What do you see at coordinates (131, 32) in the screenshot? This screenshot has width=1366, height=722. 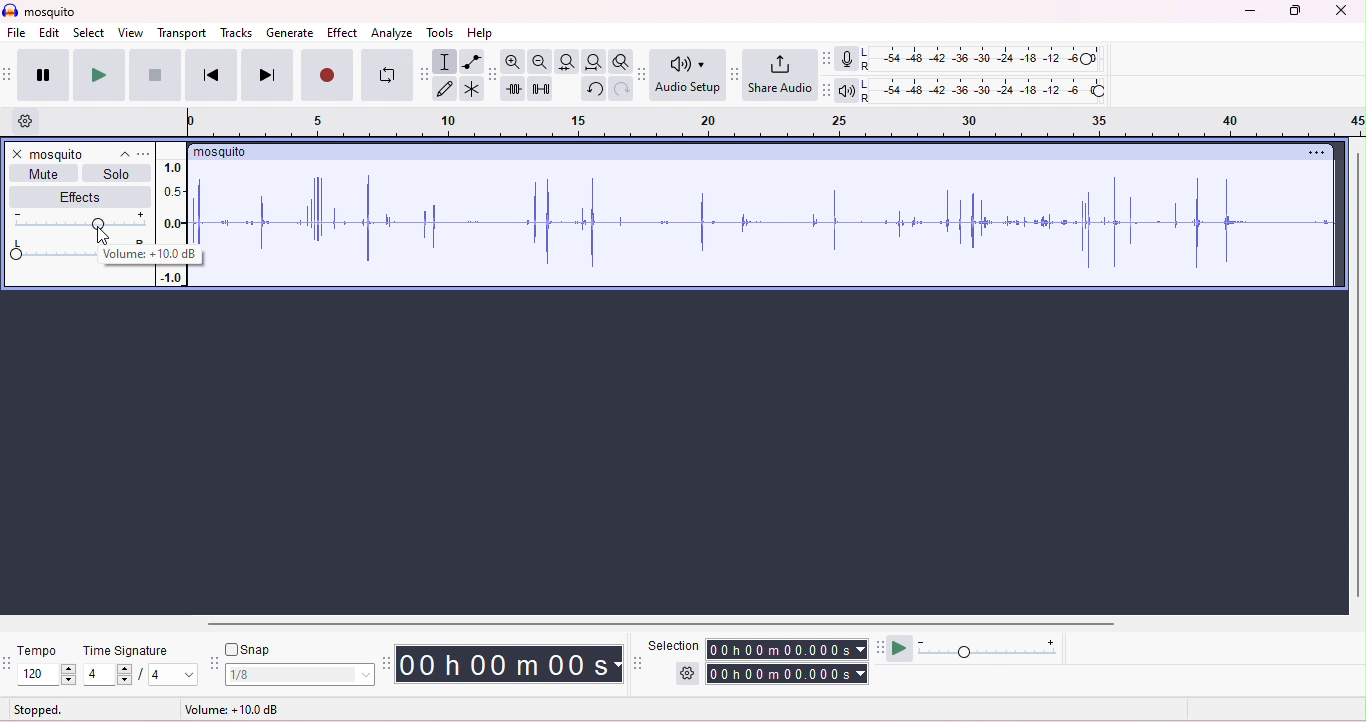 I see `view` at bounding box center [131, 32].